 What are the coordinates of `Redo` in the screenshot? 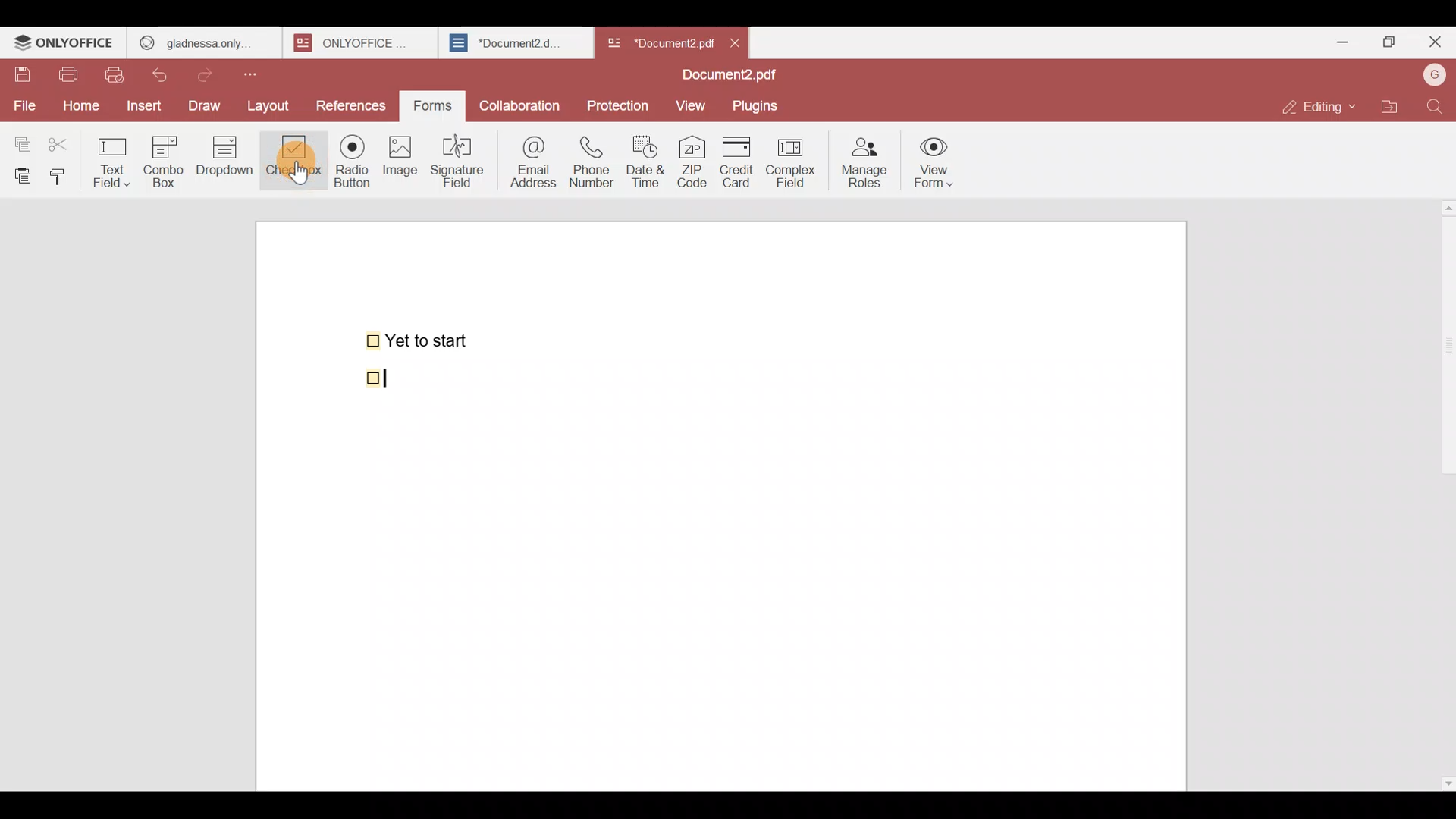 It's located at (212, 71).